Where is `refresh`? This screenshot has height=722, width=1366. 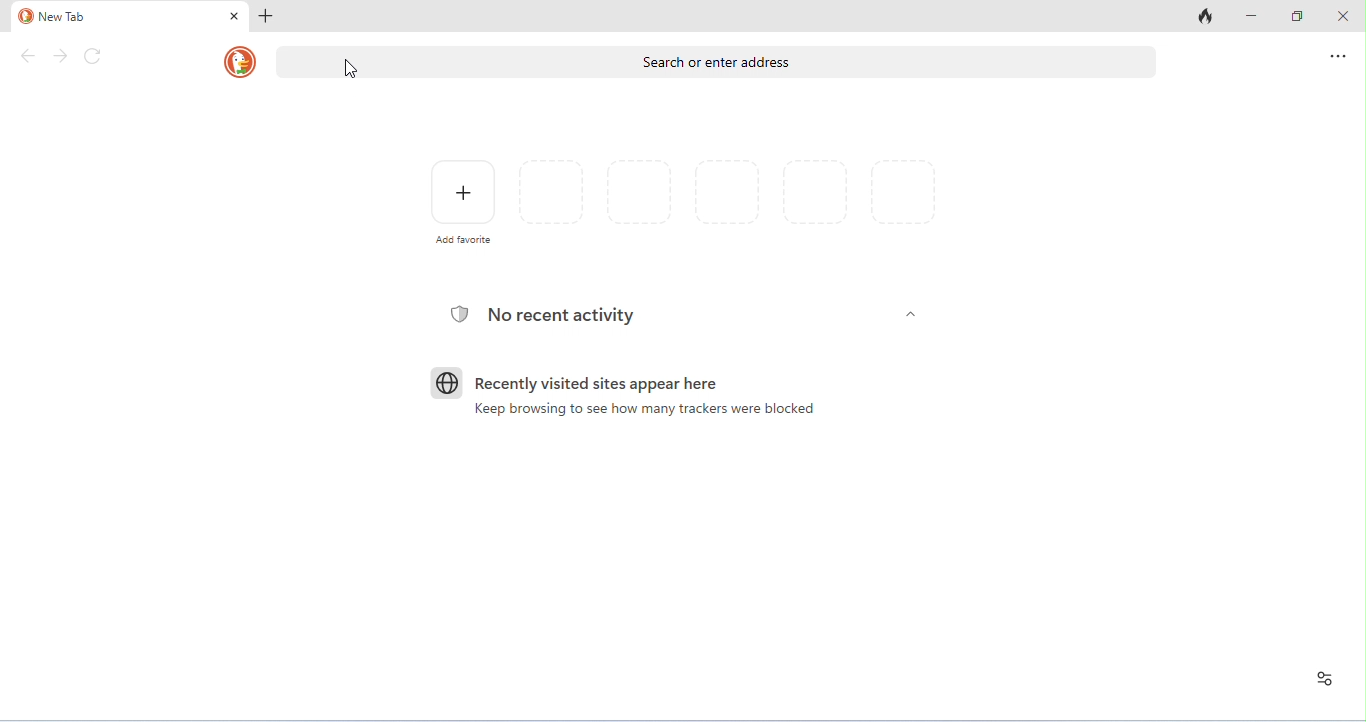
refresh is located at coordinates (93, 56).